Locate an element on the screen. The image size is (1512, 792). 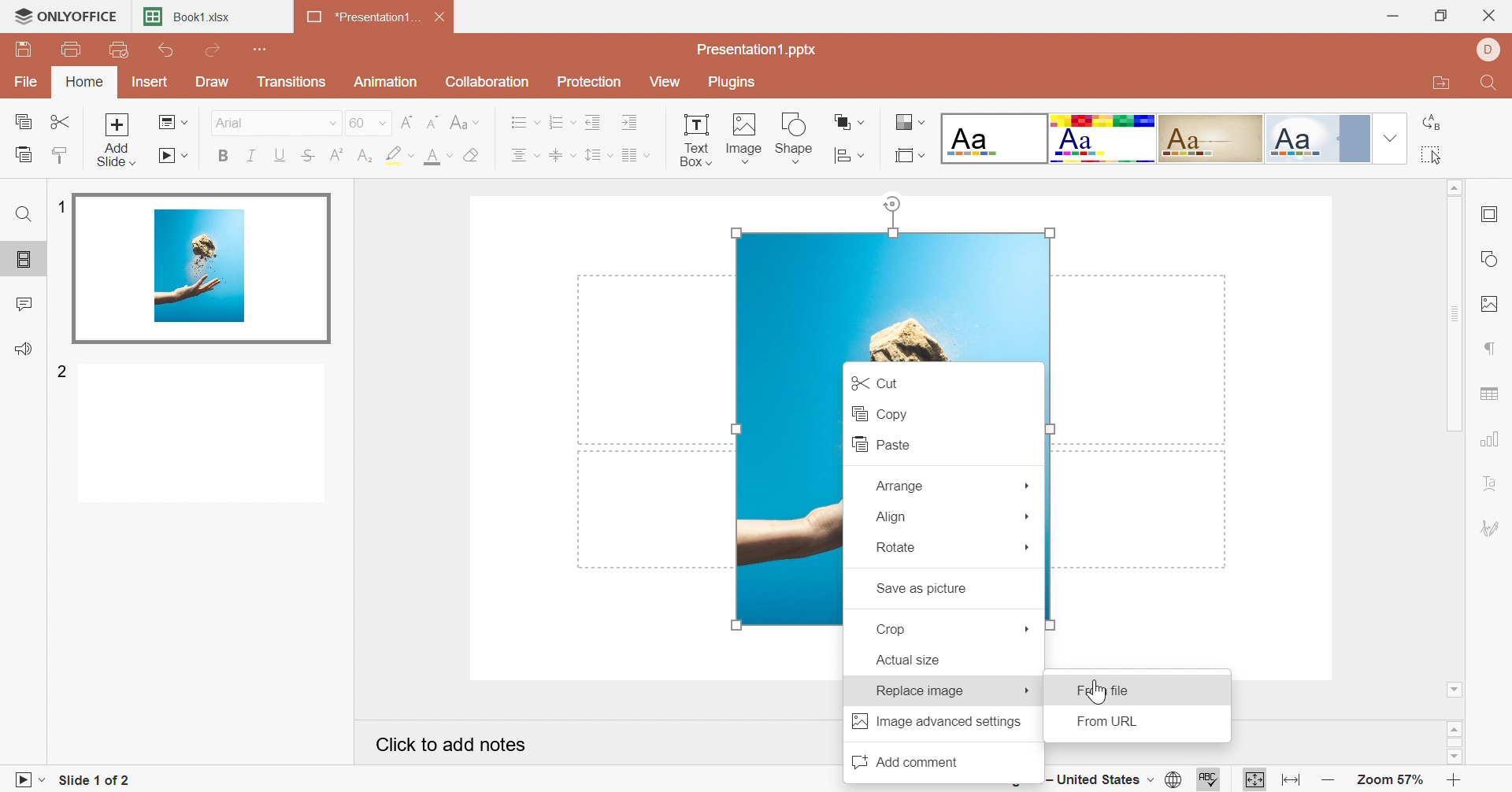
shape settings is located at coordinates (1492, 255).